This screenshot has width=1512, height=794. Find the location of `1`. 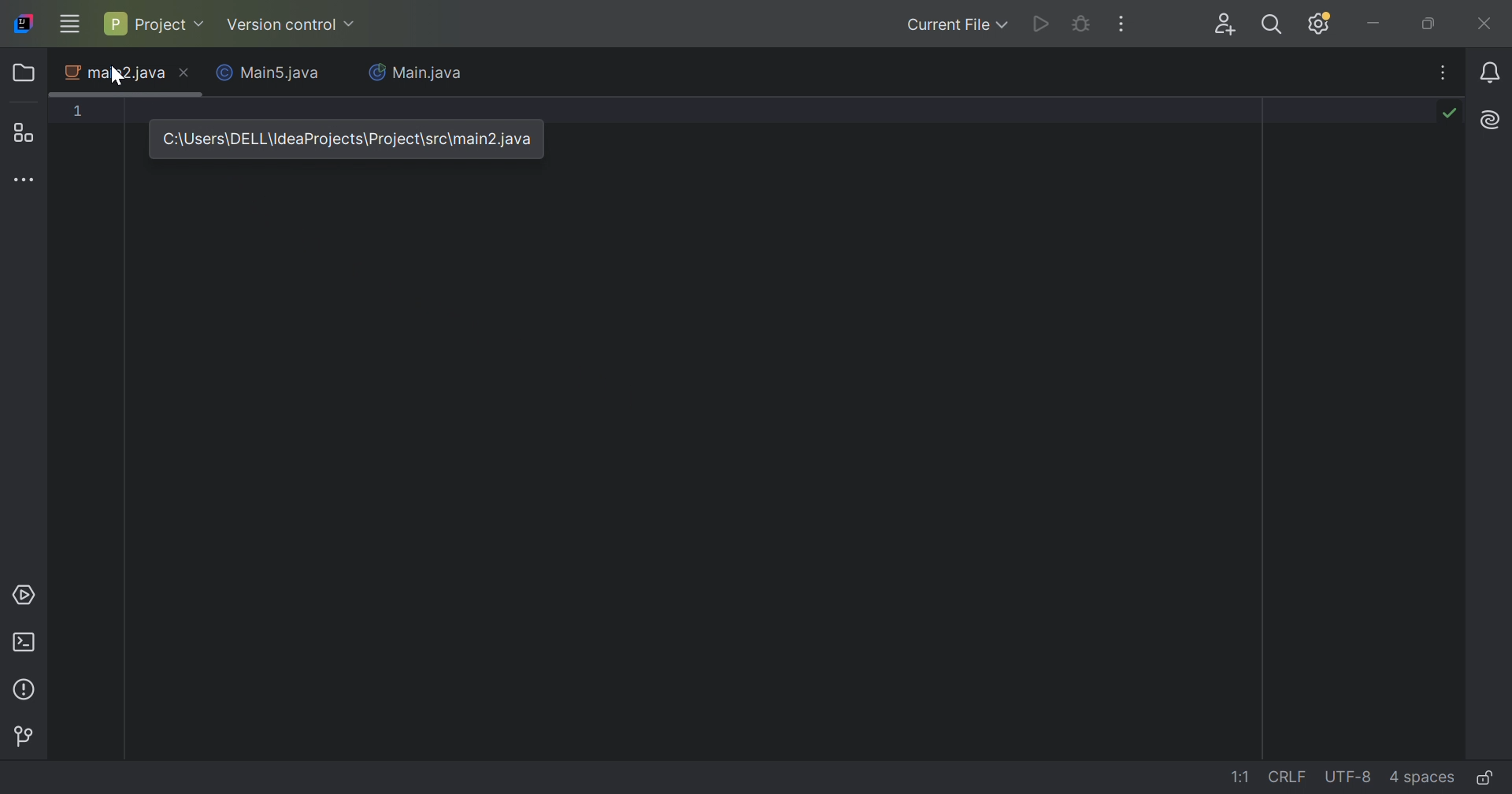

1 is located at coordinates (79, 110).